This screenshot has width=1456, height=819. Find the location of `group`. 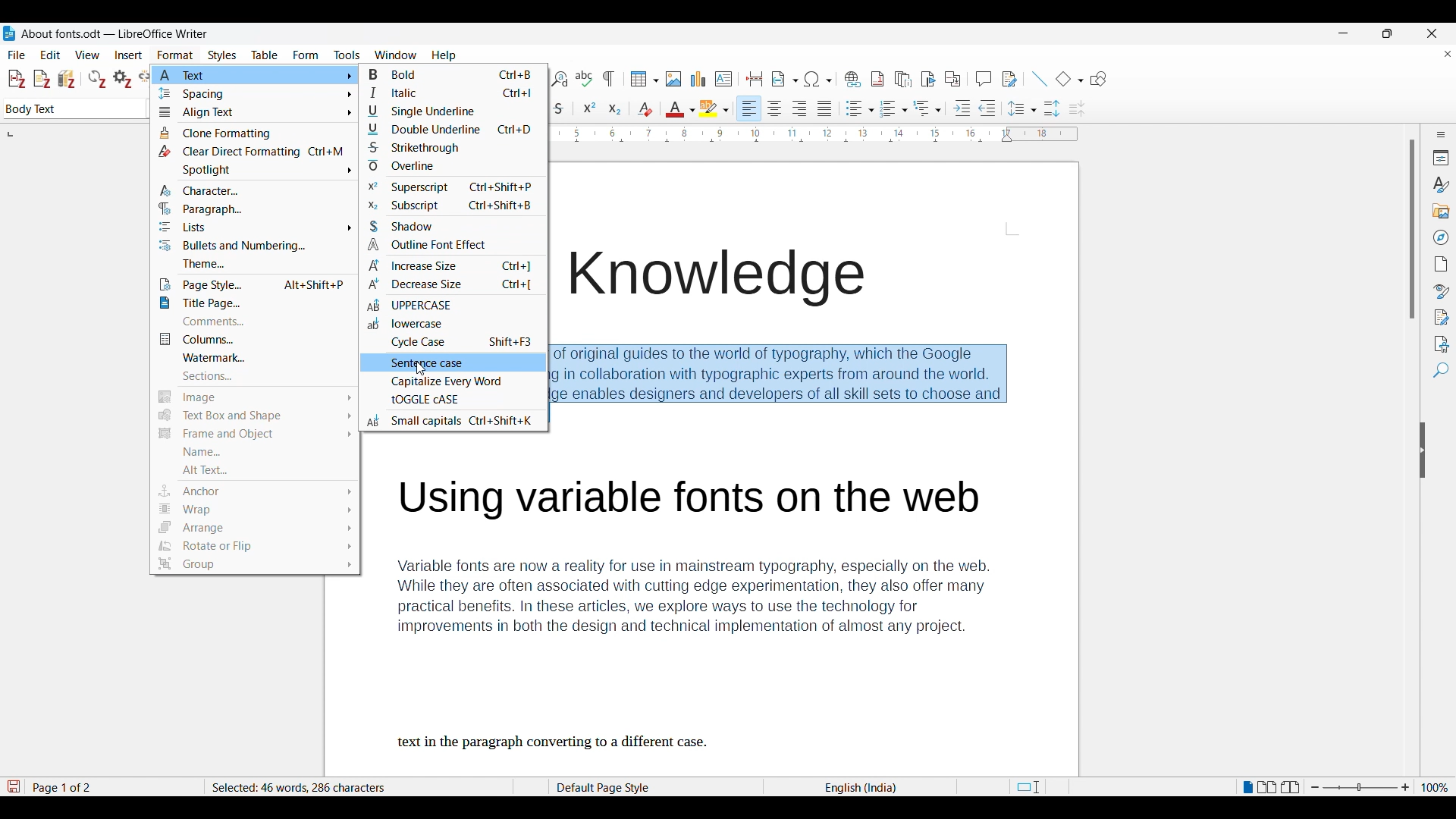

group is located at coordinates (253, 565).